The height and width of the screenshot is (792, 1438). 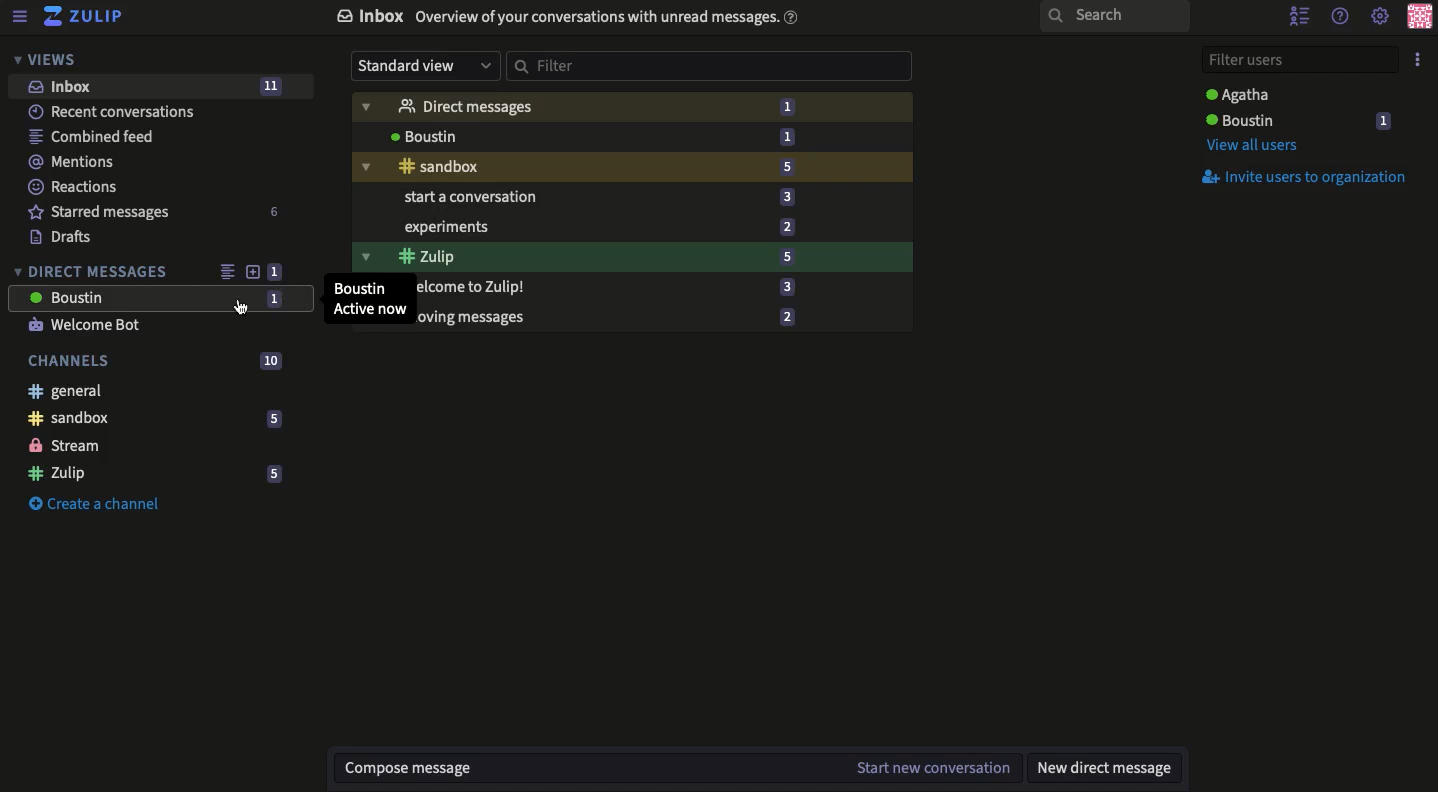 I want to click on 1, so click(x=275, y=269).